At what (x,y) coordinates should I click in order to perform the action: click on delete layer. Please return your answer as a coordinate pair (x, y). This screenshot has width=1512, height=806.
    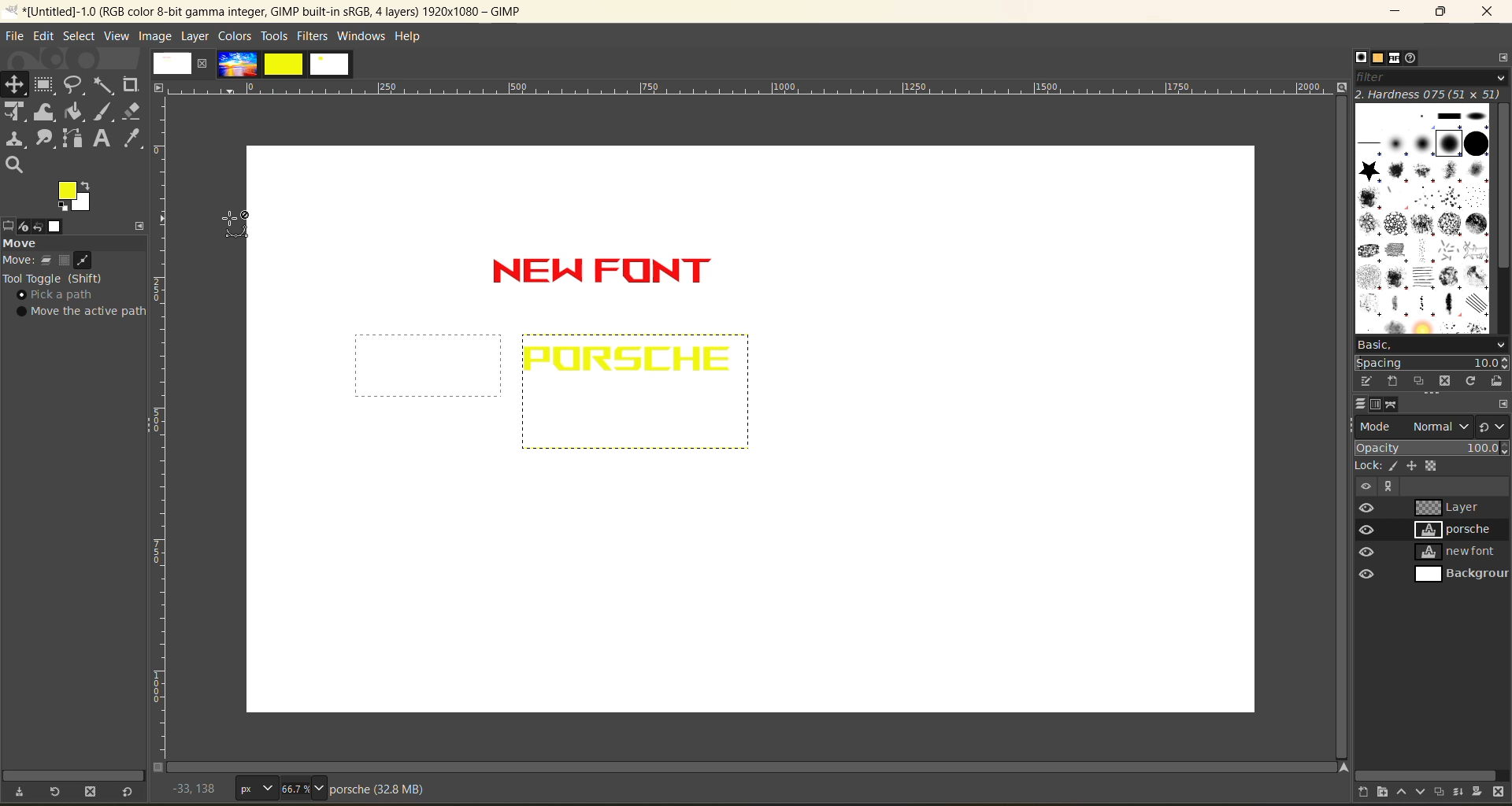
    Looking at the image, I should click on (1503, 793).